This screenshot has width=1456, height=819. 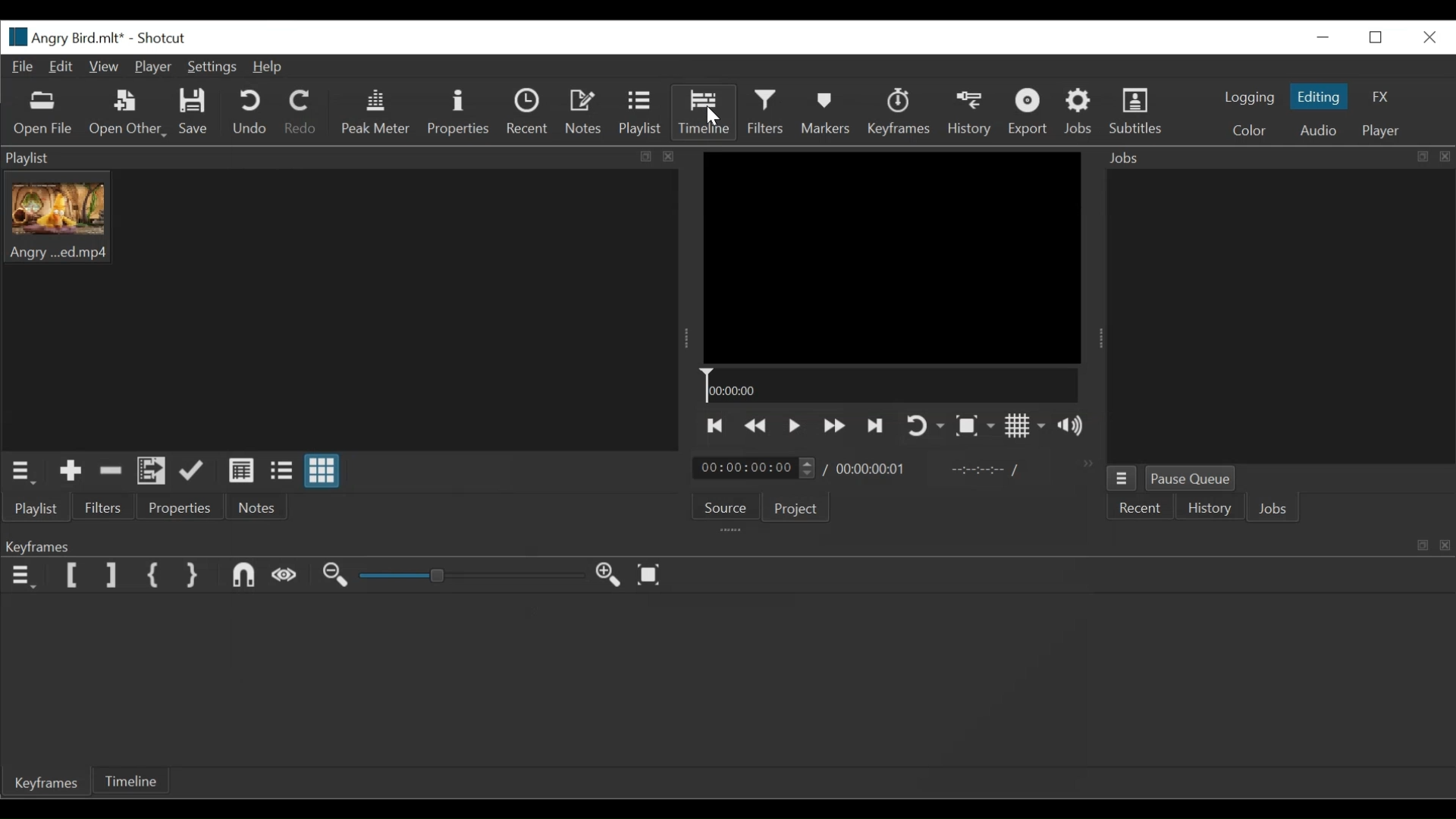 What do you see at coordinates (1208, 508) in the screenshot?
I see `History` at bounding box center [1208, 508].